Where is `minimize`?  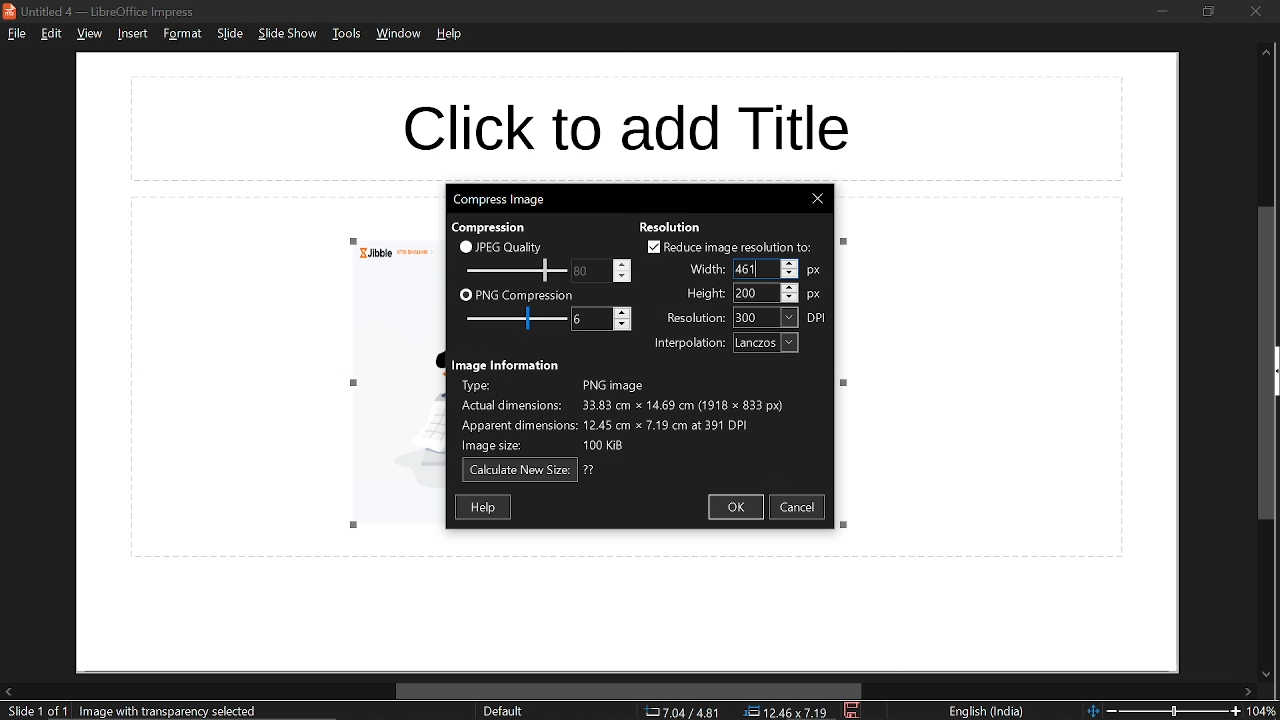 minimize is located at coordinates (1162, 11).